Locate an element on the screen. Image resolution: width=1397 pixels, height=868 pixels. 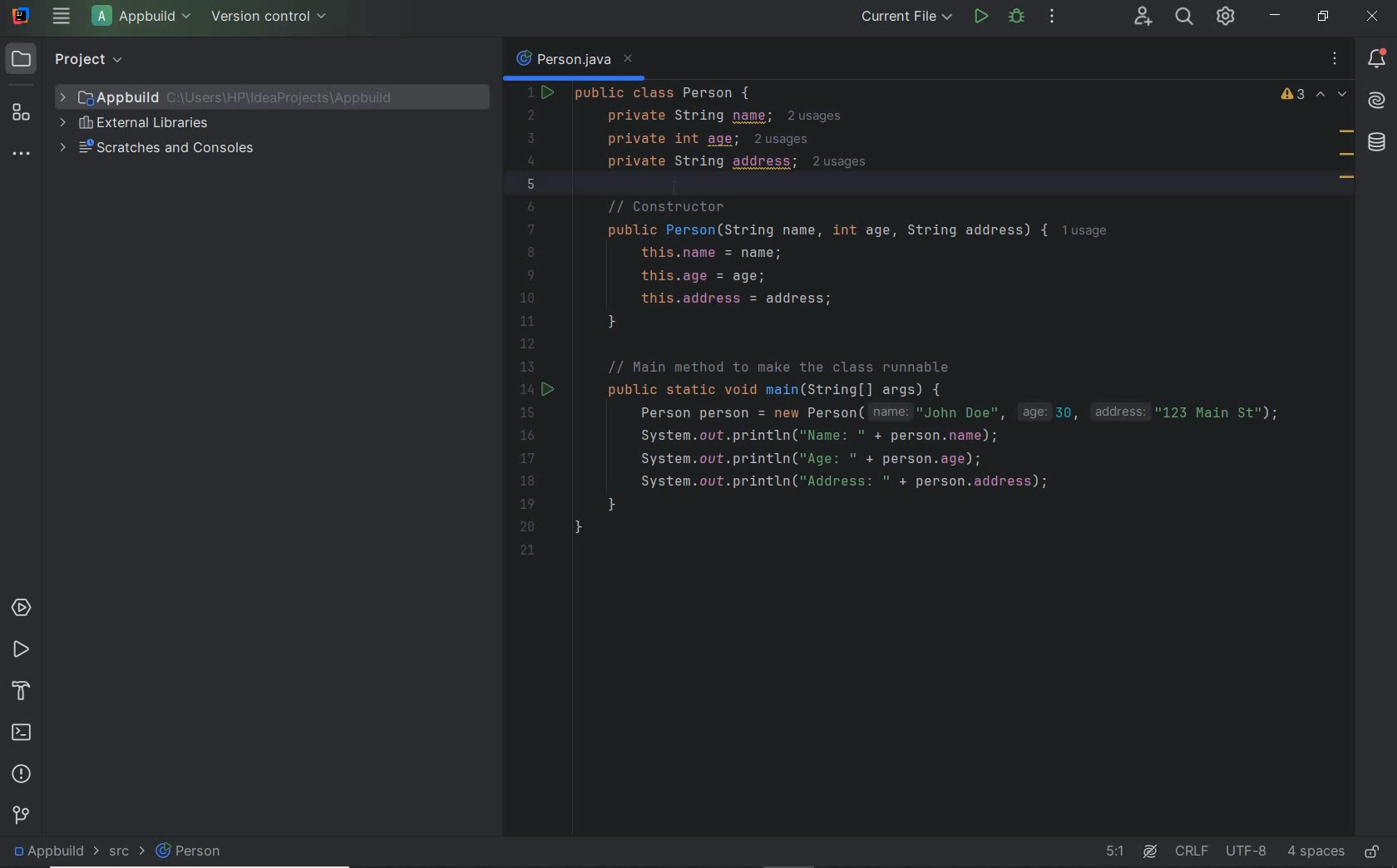
search everywhere is located at coordinates (1186, 18).